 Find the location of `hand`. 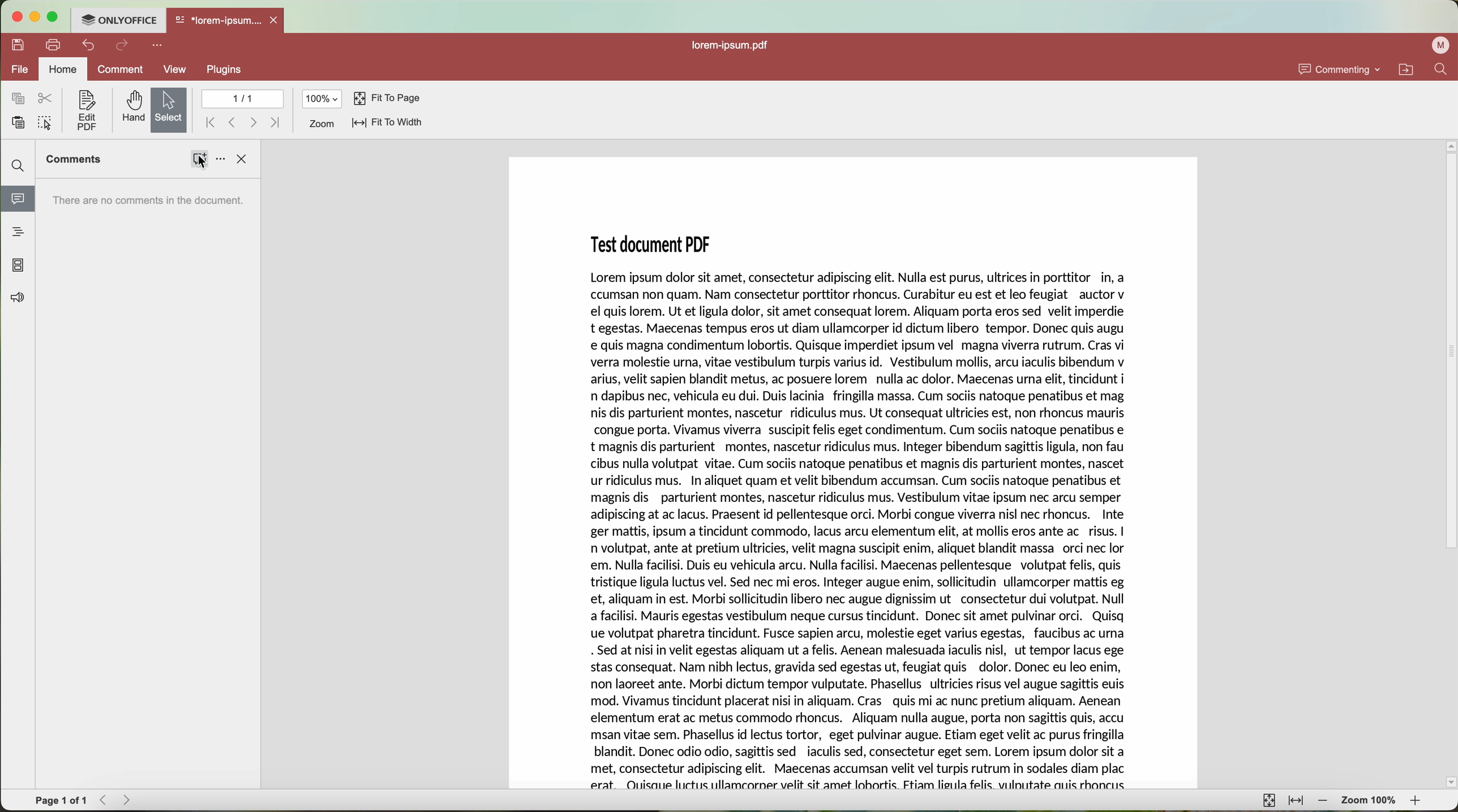

hand is located at coordinates (131, 108).